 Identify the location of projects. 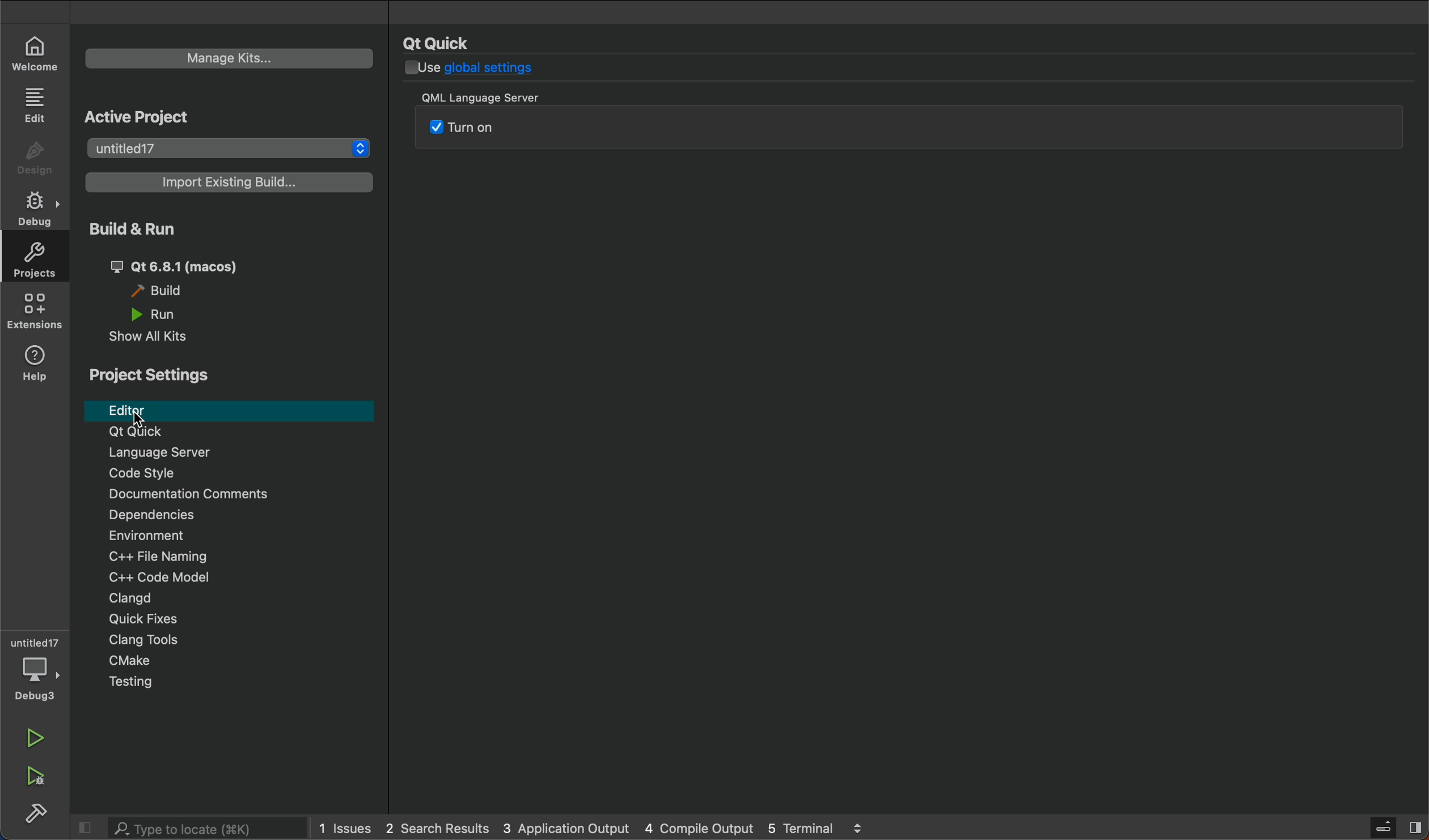
(229, 149).